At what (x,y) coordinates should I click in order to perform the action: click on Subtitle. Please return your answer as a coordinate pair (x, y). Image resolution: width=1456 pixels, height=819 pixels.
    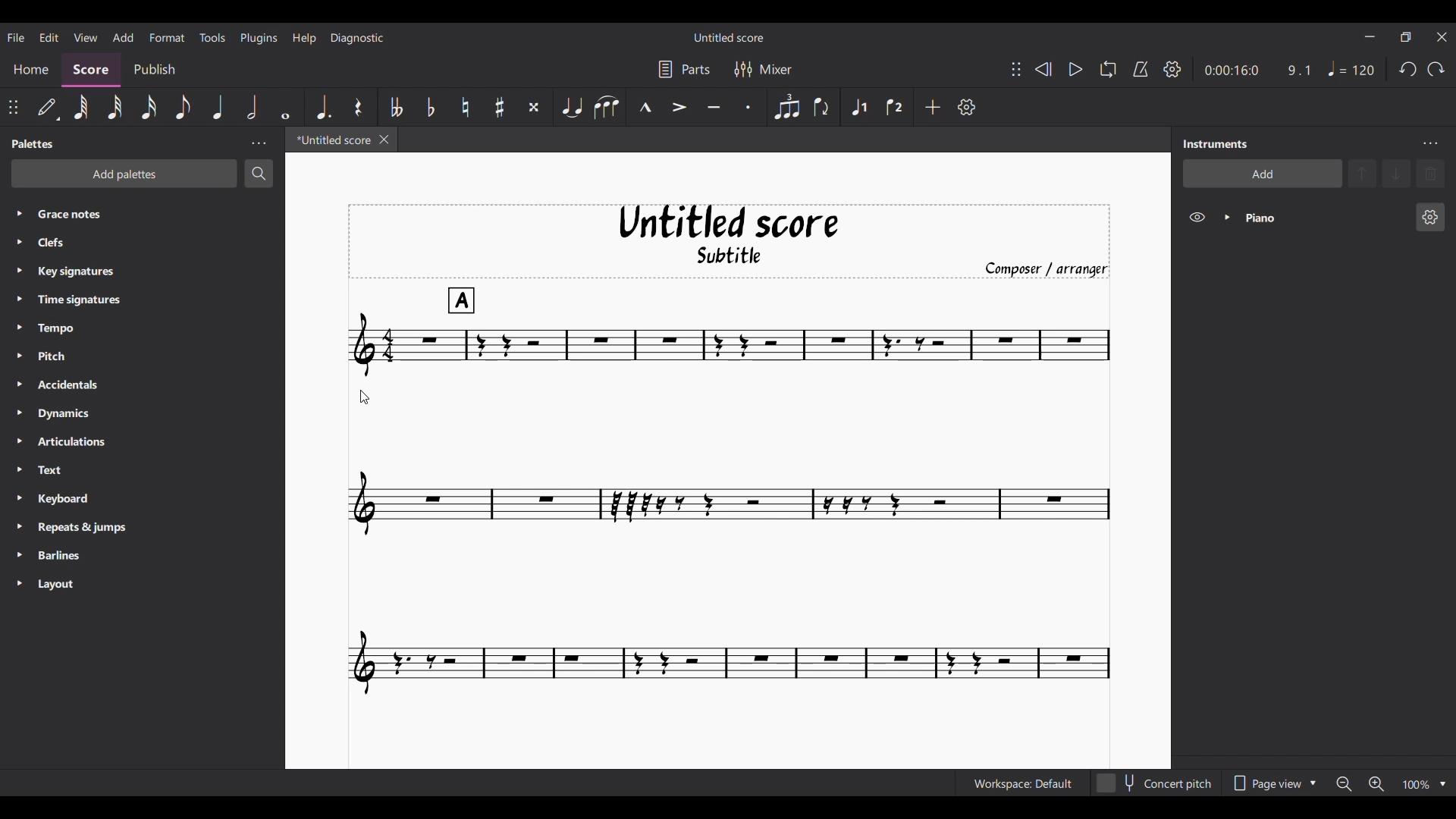
    Looking at the image, I should click on (745, 255).